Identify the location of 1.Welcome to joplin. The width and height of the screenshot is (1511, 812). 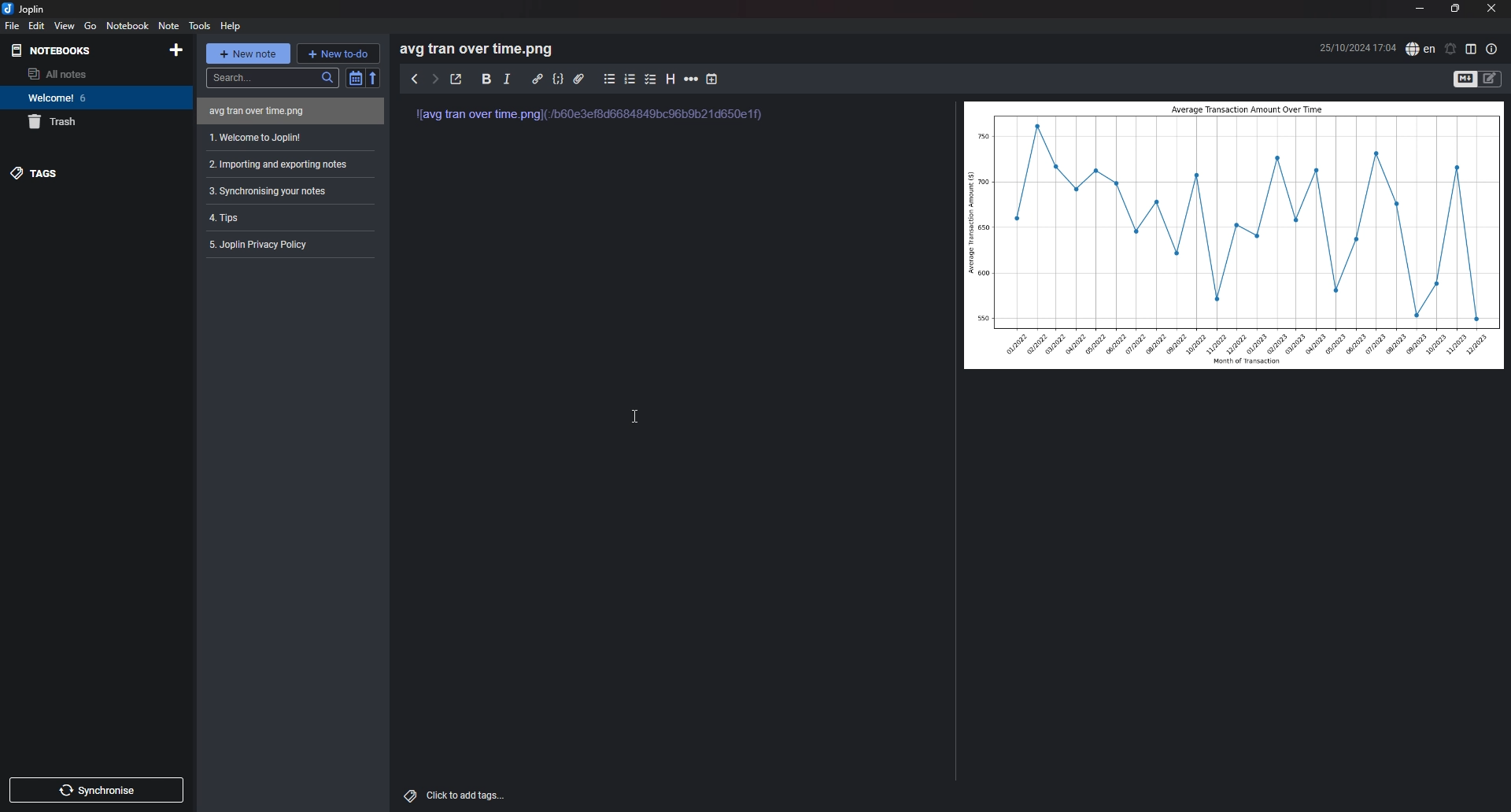
(286, 138).